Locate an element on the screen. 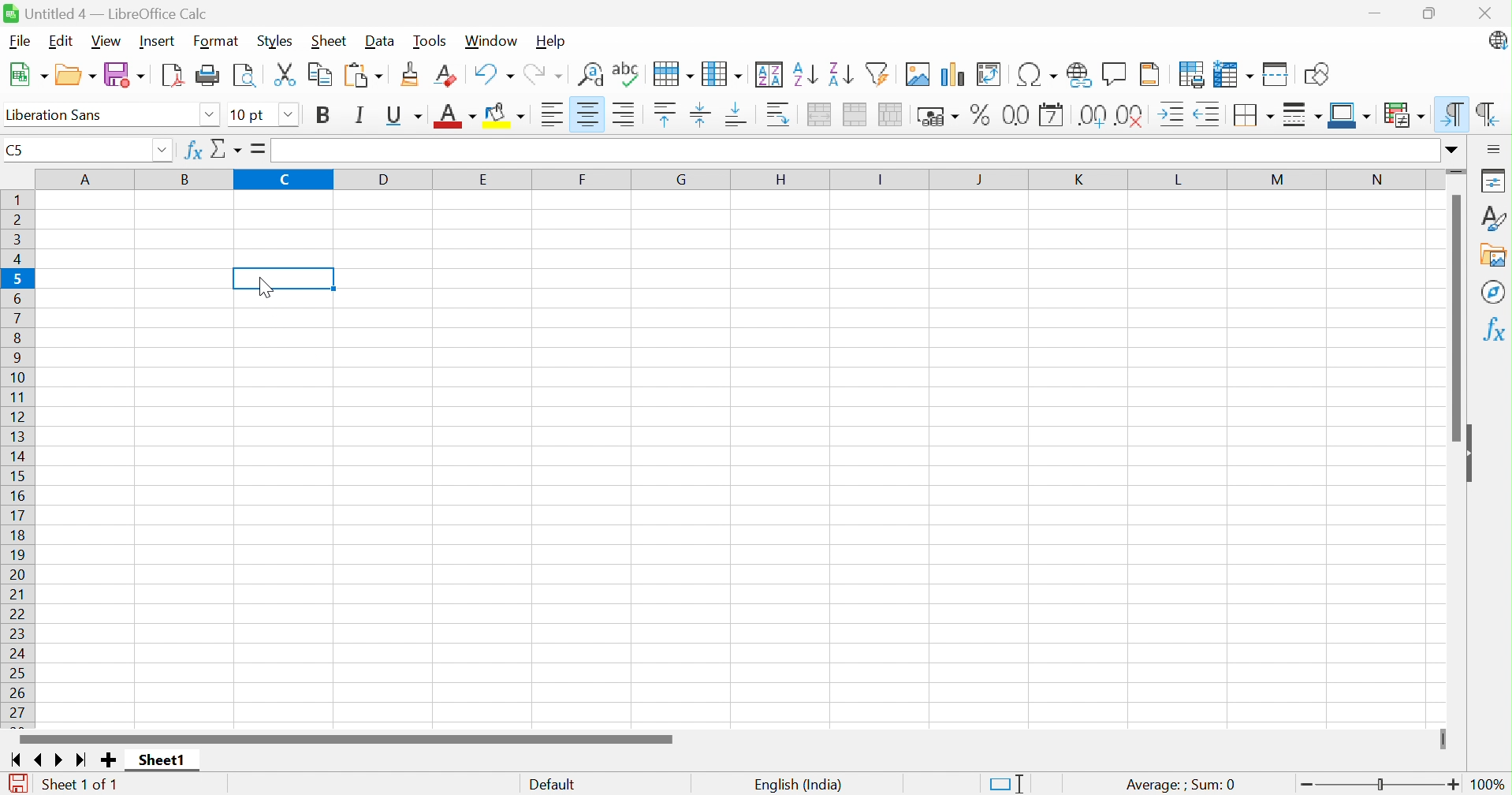  Functions is located at coordinates (1492, 330).